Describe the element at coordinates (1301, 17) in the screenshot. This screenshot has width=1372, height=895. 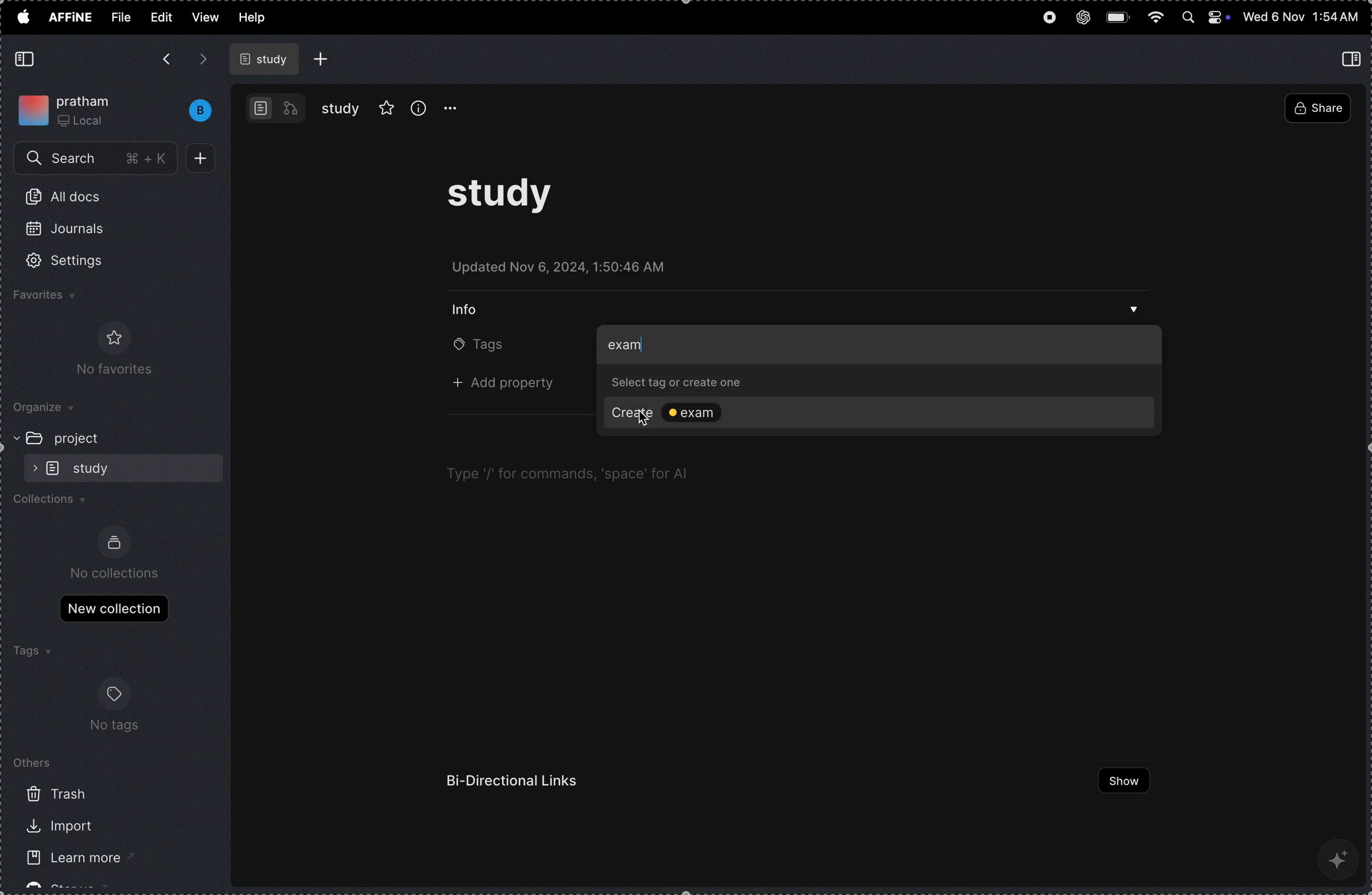
I see `time and date` at that location.